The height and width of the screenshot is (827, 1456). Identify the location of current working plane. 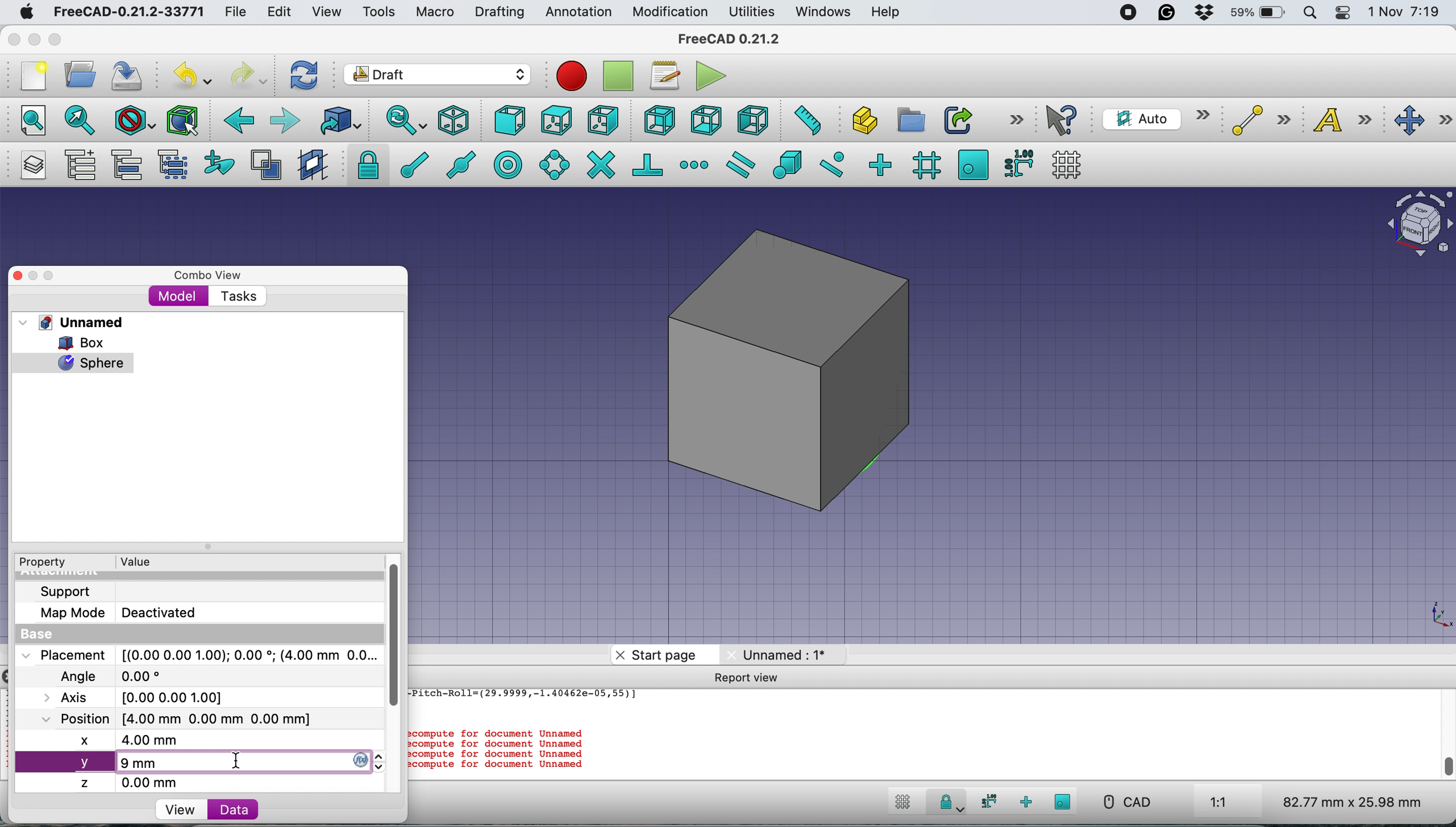
(1153, 118).